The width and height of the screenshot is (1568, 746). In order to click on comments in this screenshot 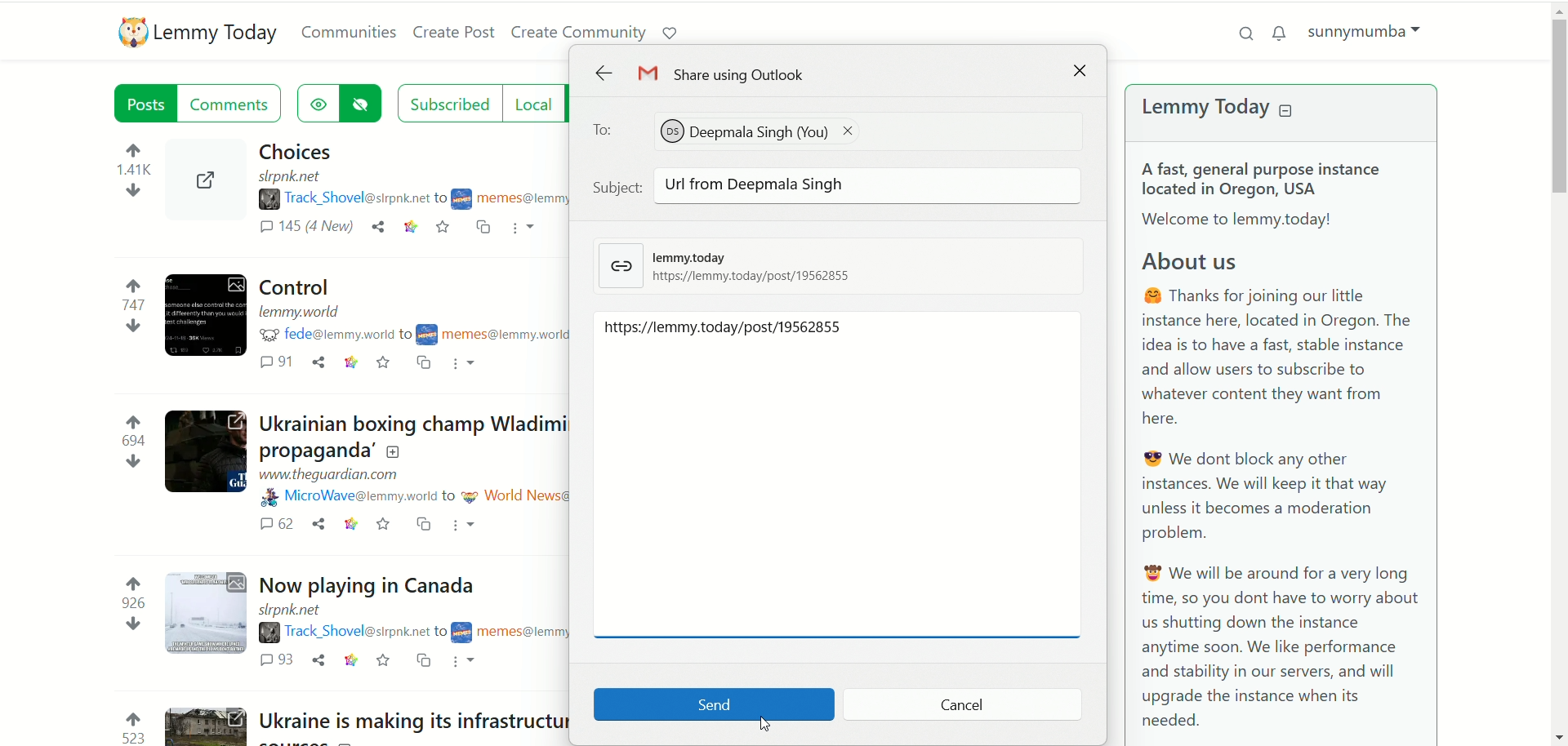, I will do `click(281, 363)`.